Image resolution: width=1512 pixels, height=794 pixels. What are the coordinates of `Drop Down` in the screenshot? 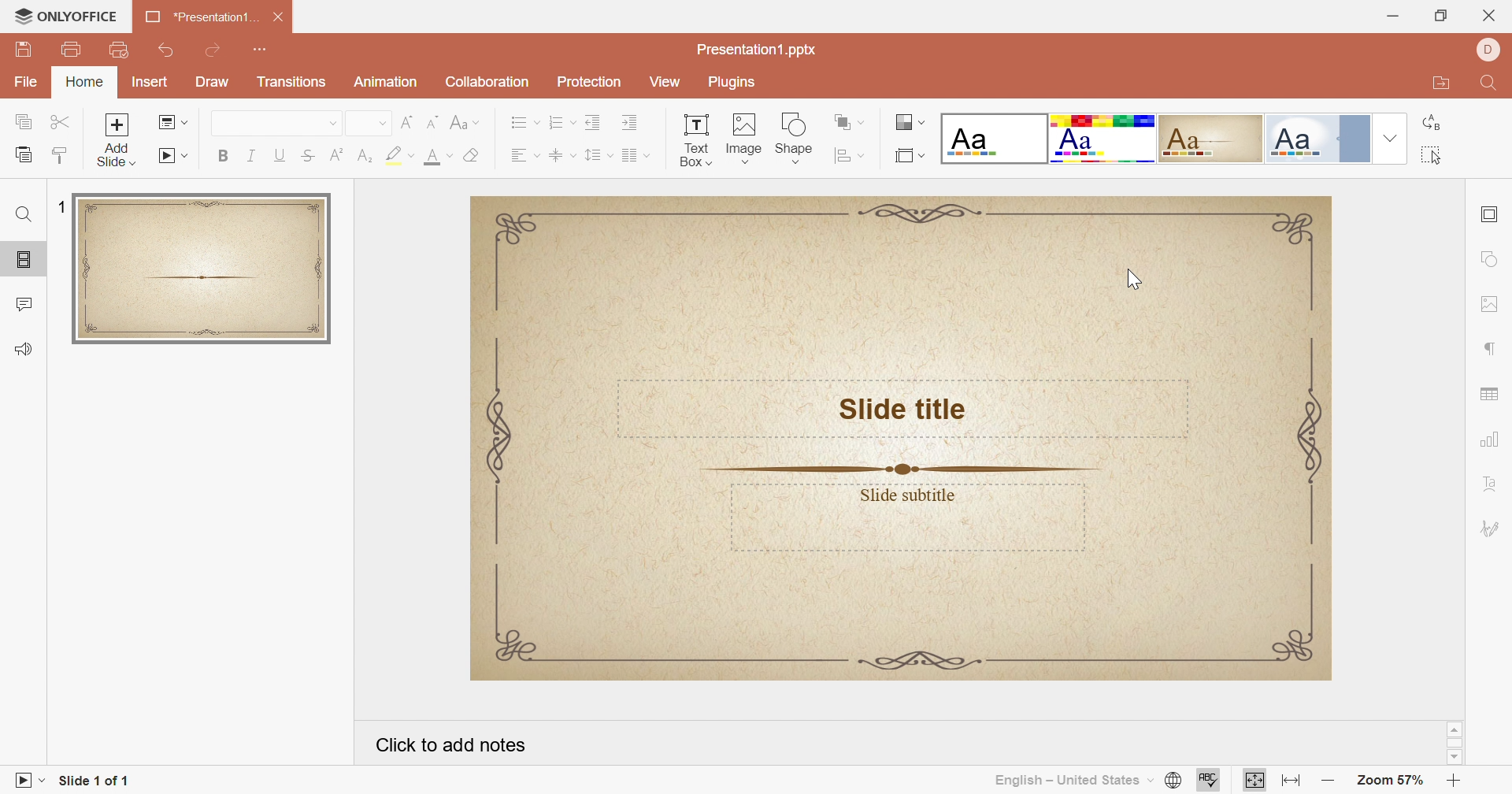 It's located at (575, 121).